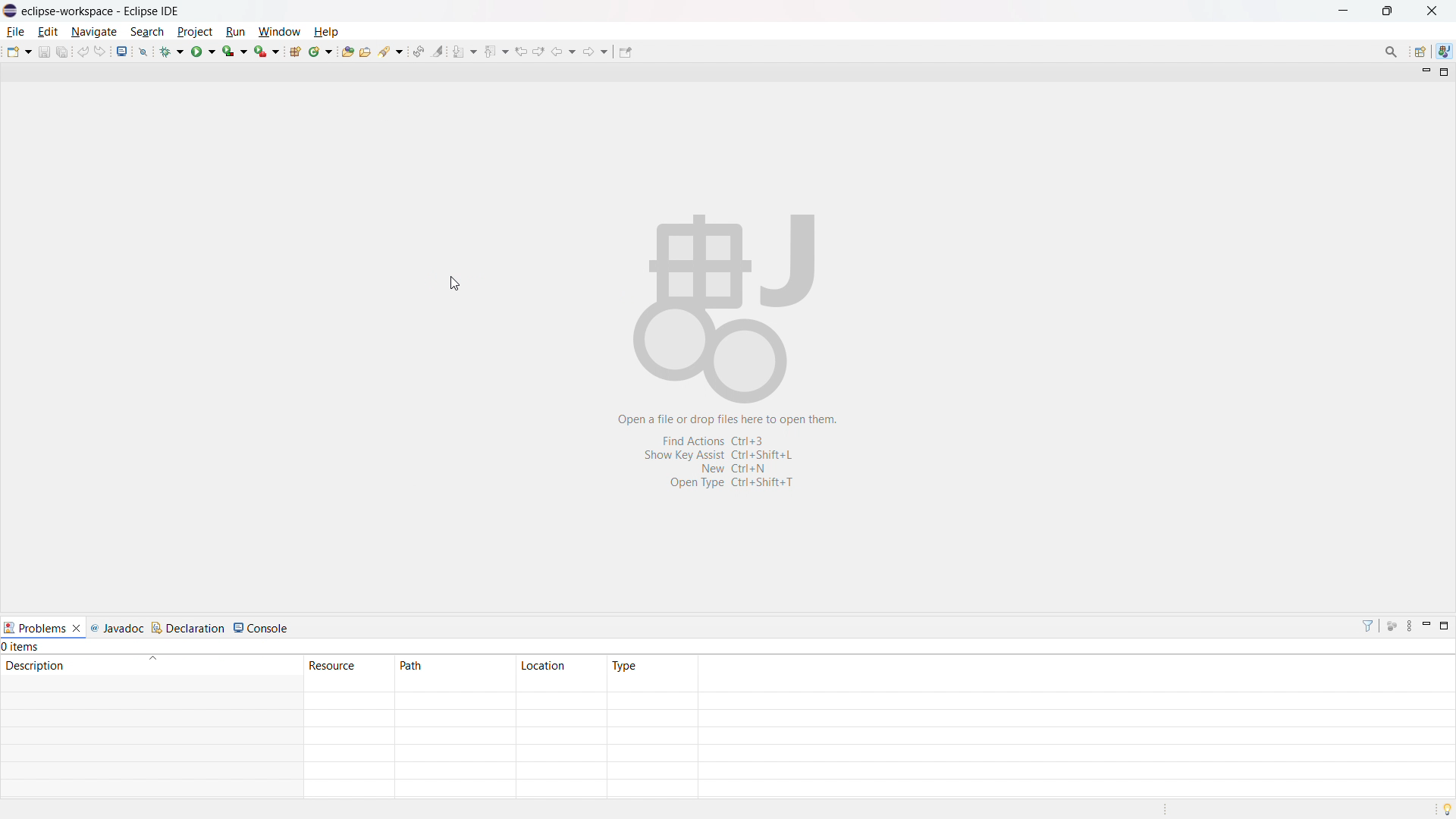  Describe the element at coordinates (366, 50) in the screenshot. I see `open task` at that location.